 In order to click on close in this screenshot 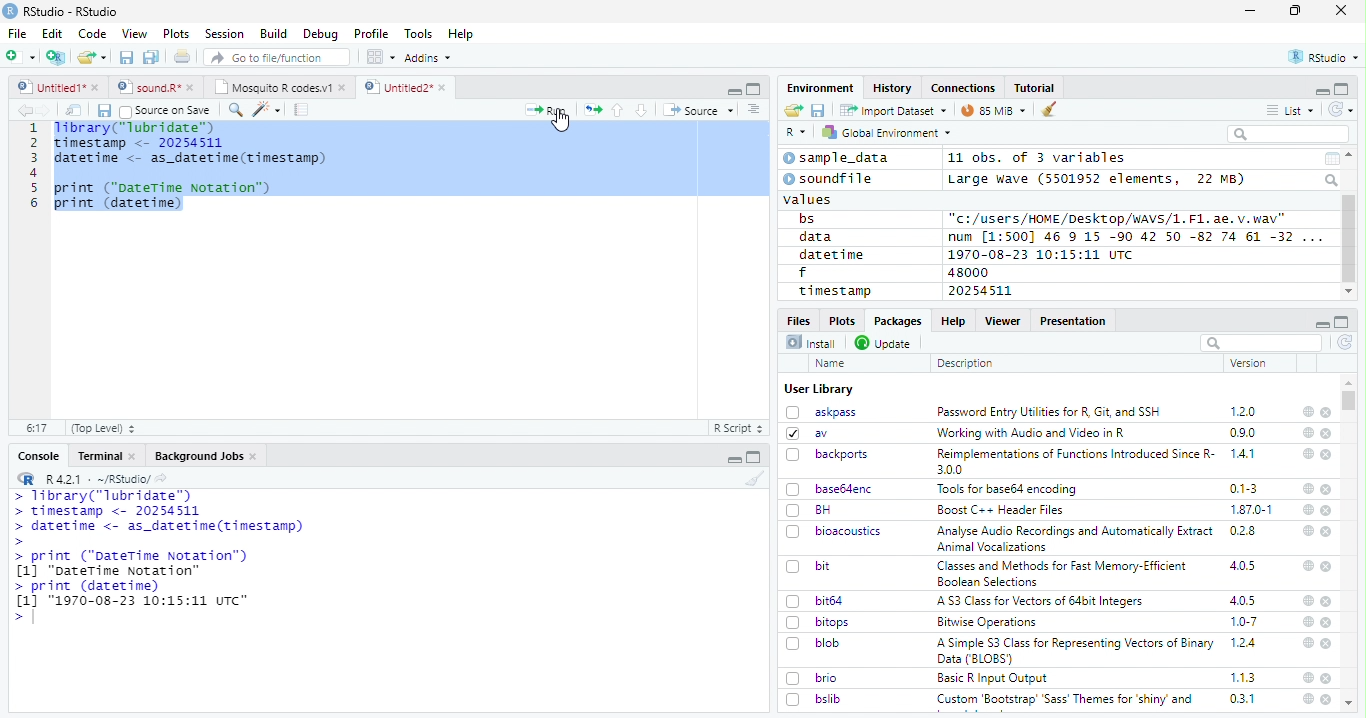, I will do `click(1326, 489)`.